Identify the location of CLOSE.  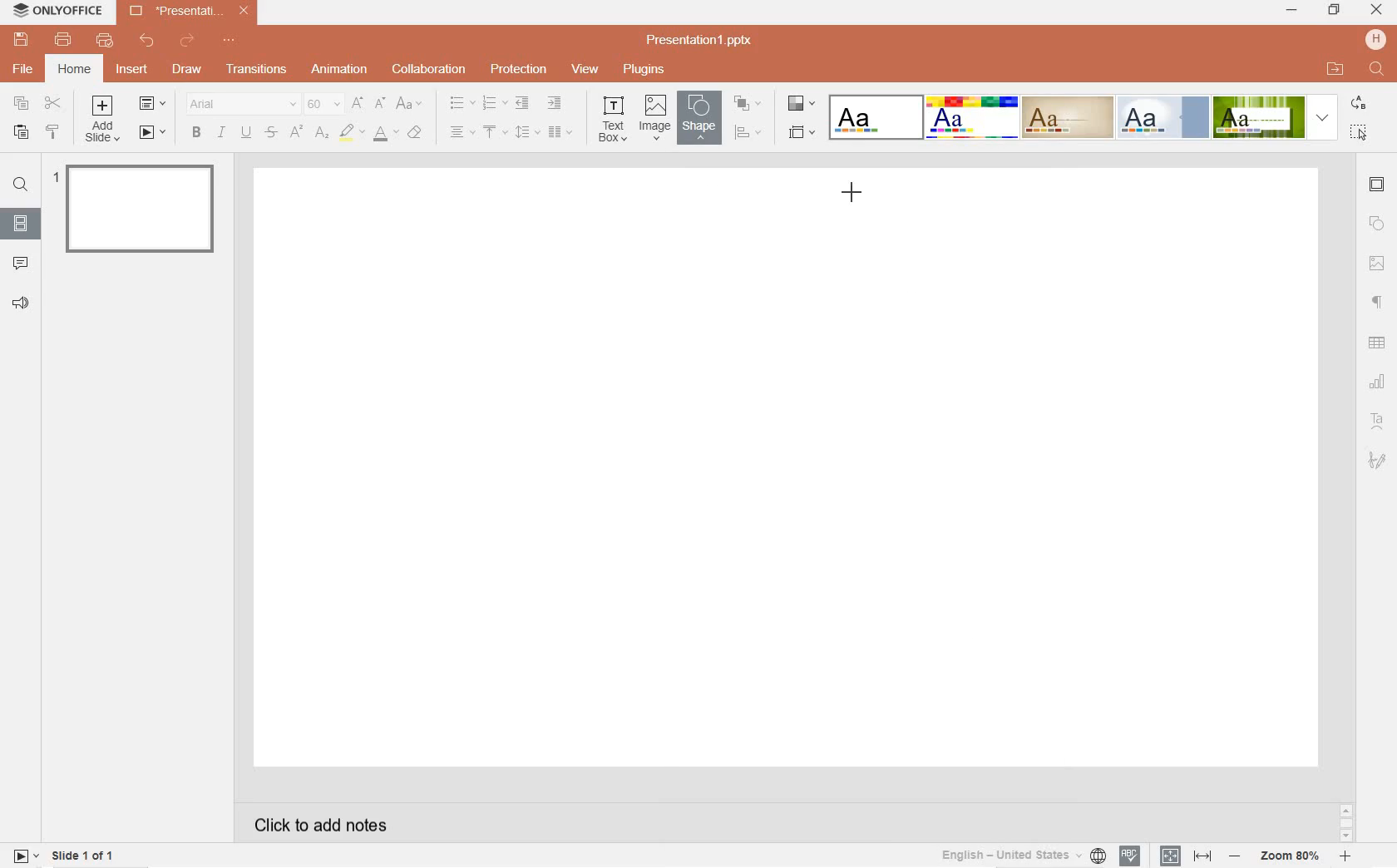
(1377, 11).